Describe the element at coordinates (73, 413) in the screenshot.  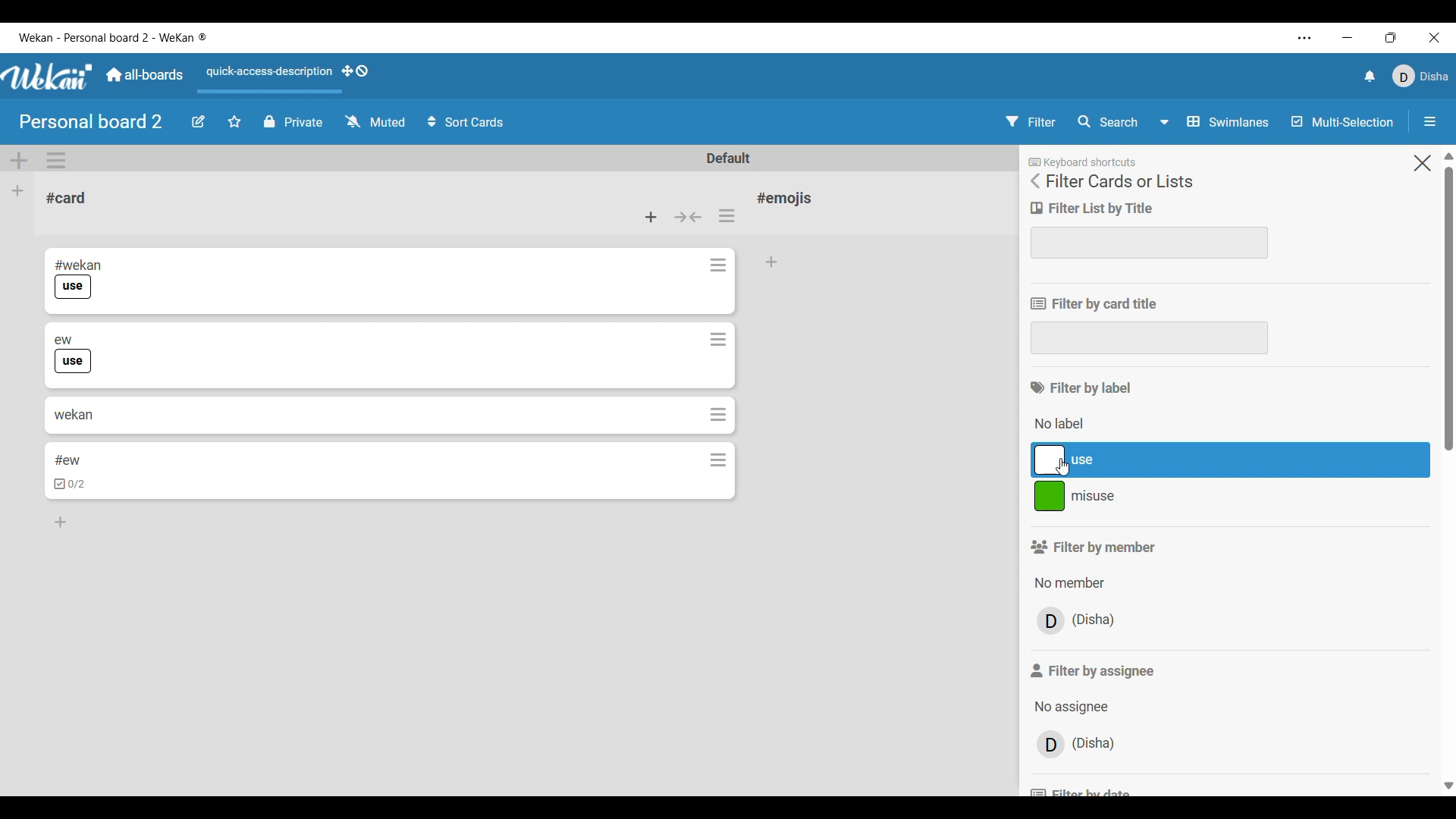
I see `wekan` at that location.